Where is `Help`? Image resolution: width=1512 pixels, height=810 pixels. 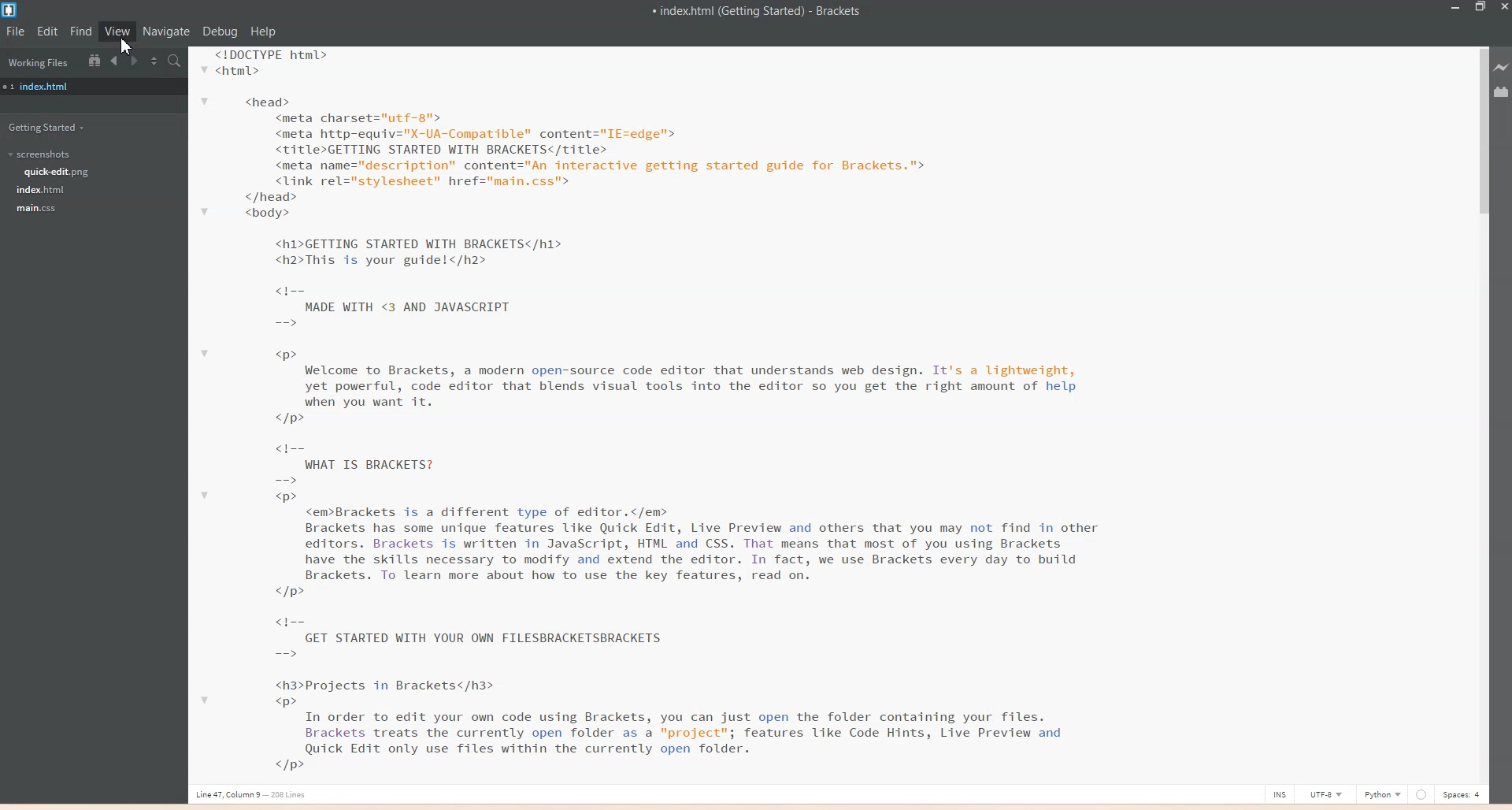
Help is located at coordinates (264, 32).